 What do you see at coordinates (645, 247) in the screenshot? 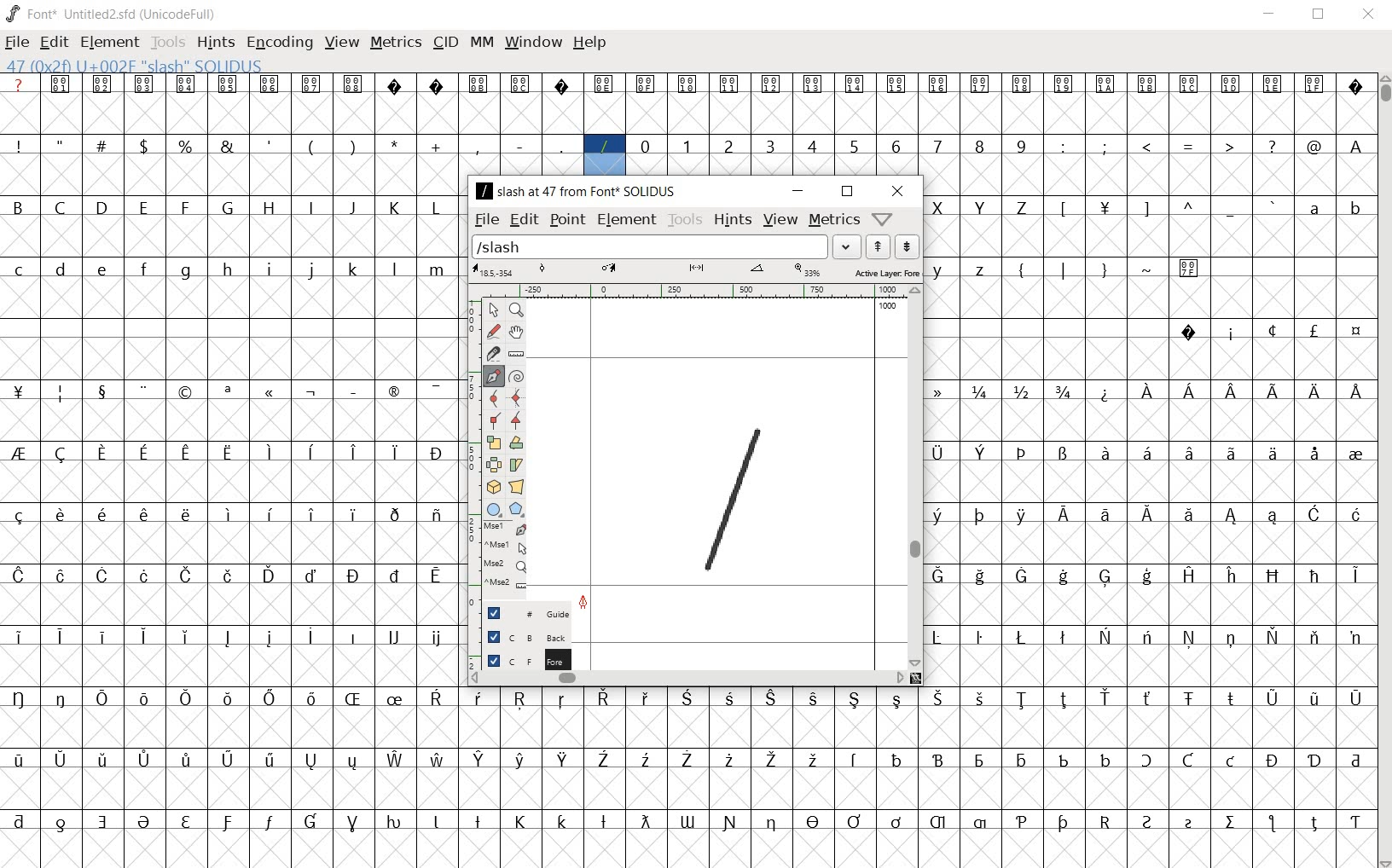
I see `load word list` at bounding box center [645, 247].